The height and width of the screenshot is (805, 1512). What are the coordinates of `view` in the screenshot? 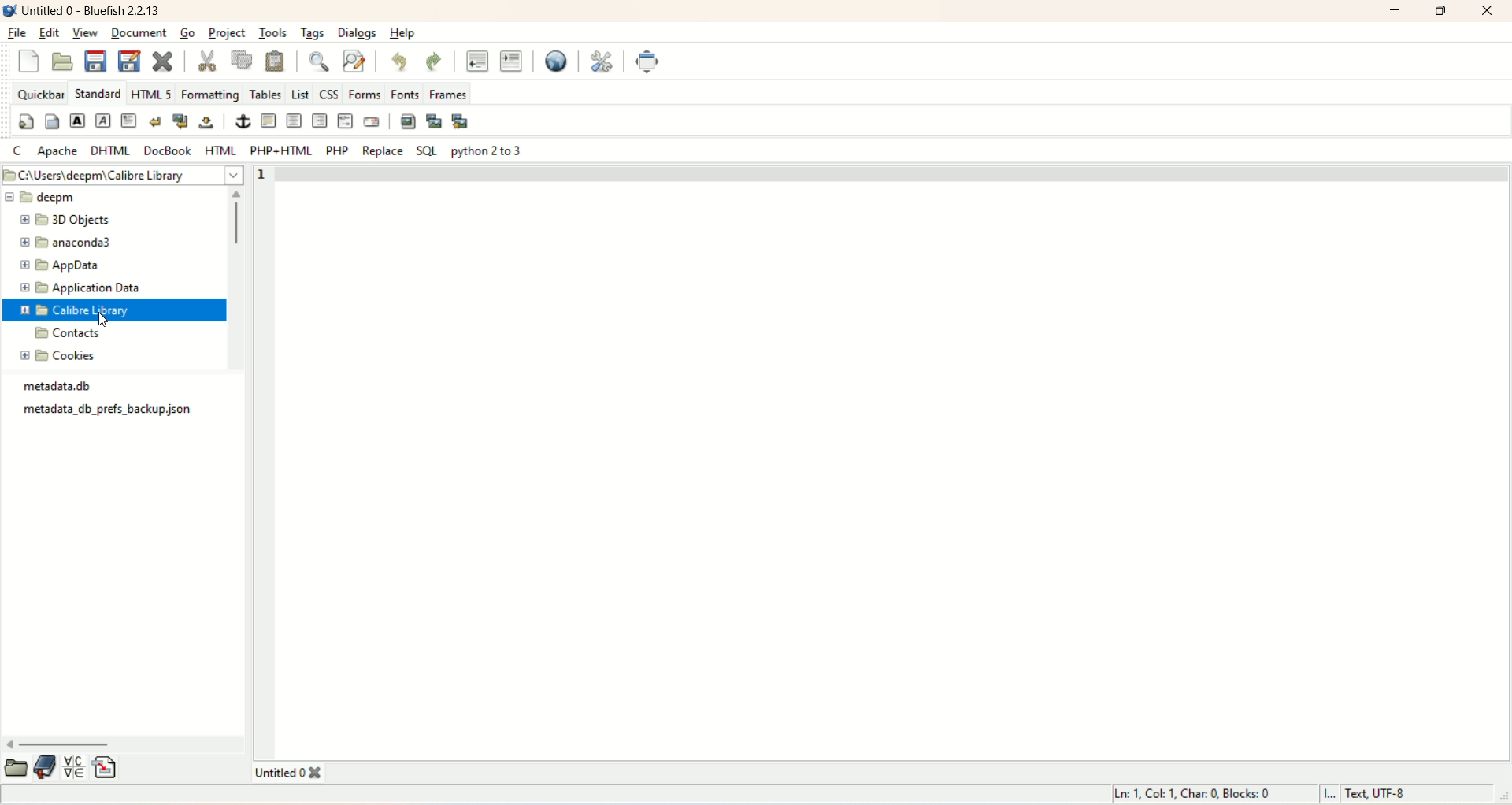 It's located at (86, 34).